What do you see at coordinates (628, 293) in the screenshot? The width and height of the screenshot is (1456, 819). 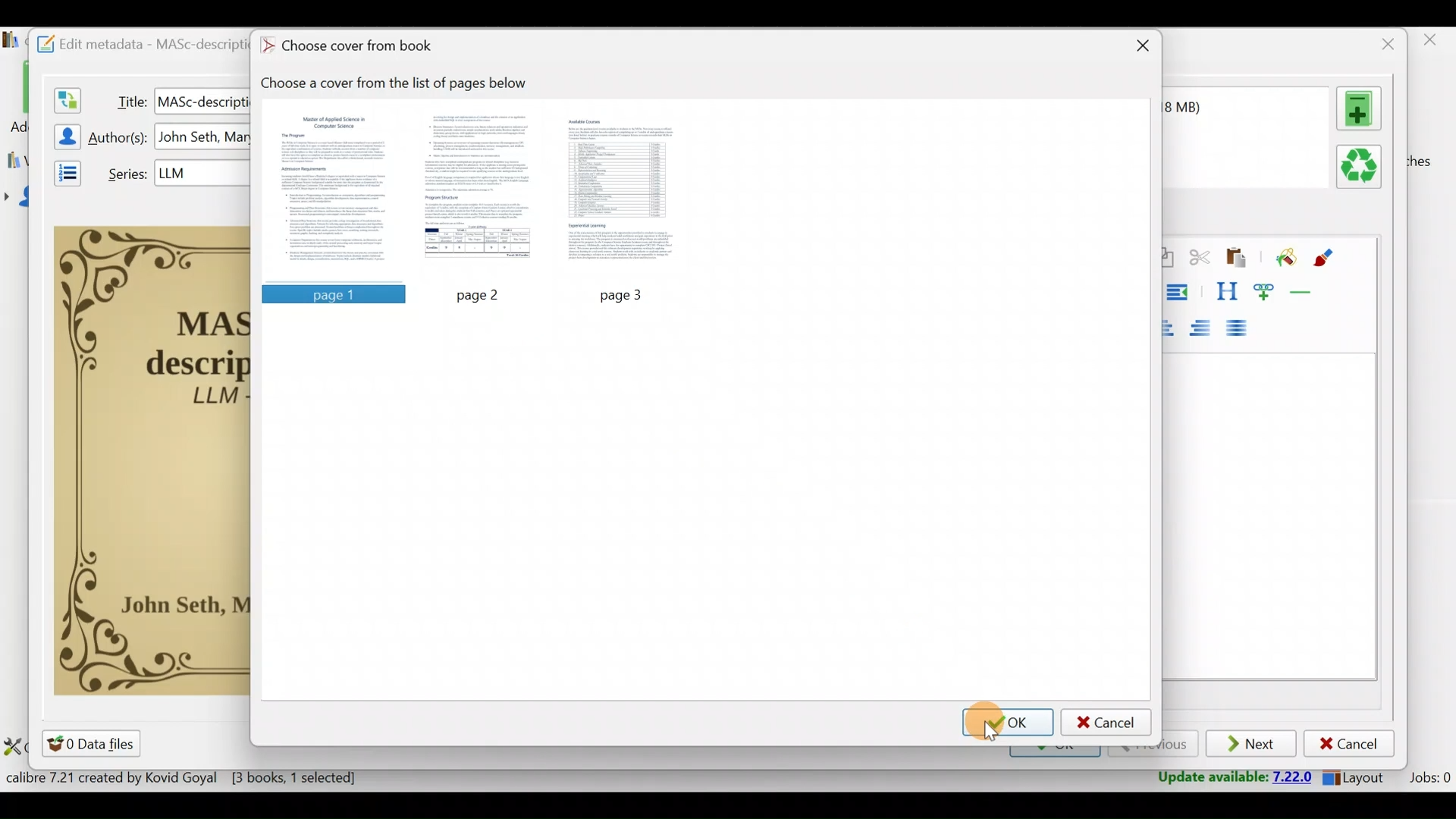 I see `` at bounding box center [628, 293].